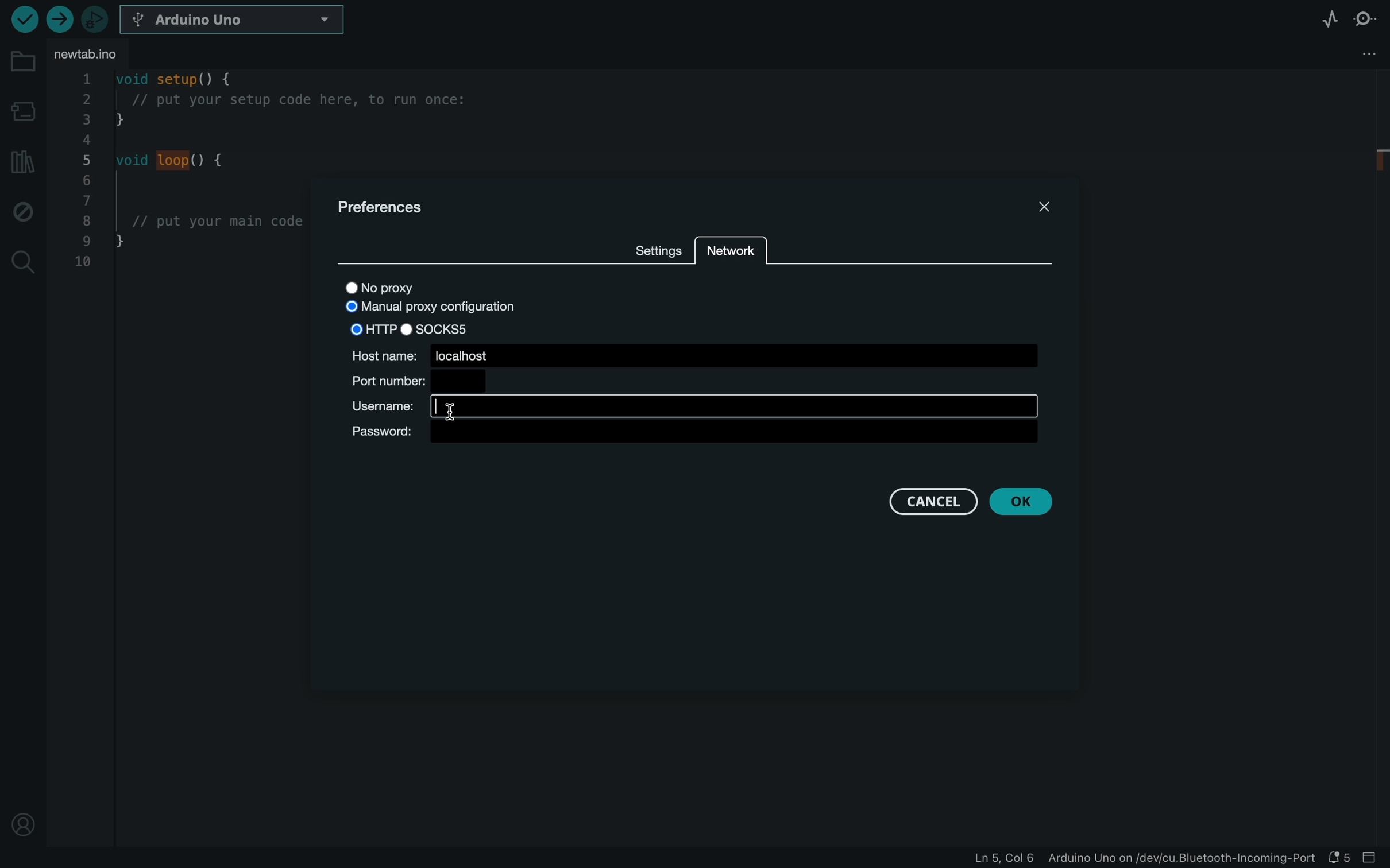 This screenshot has width=1390, height=868. What do you see at coordinates (57, 19) in the screenshot?
I see `upload` at bounding box center [57, 19].